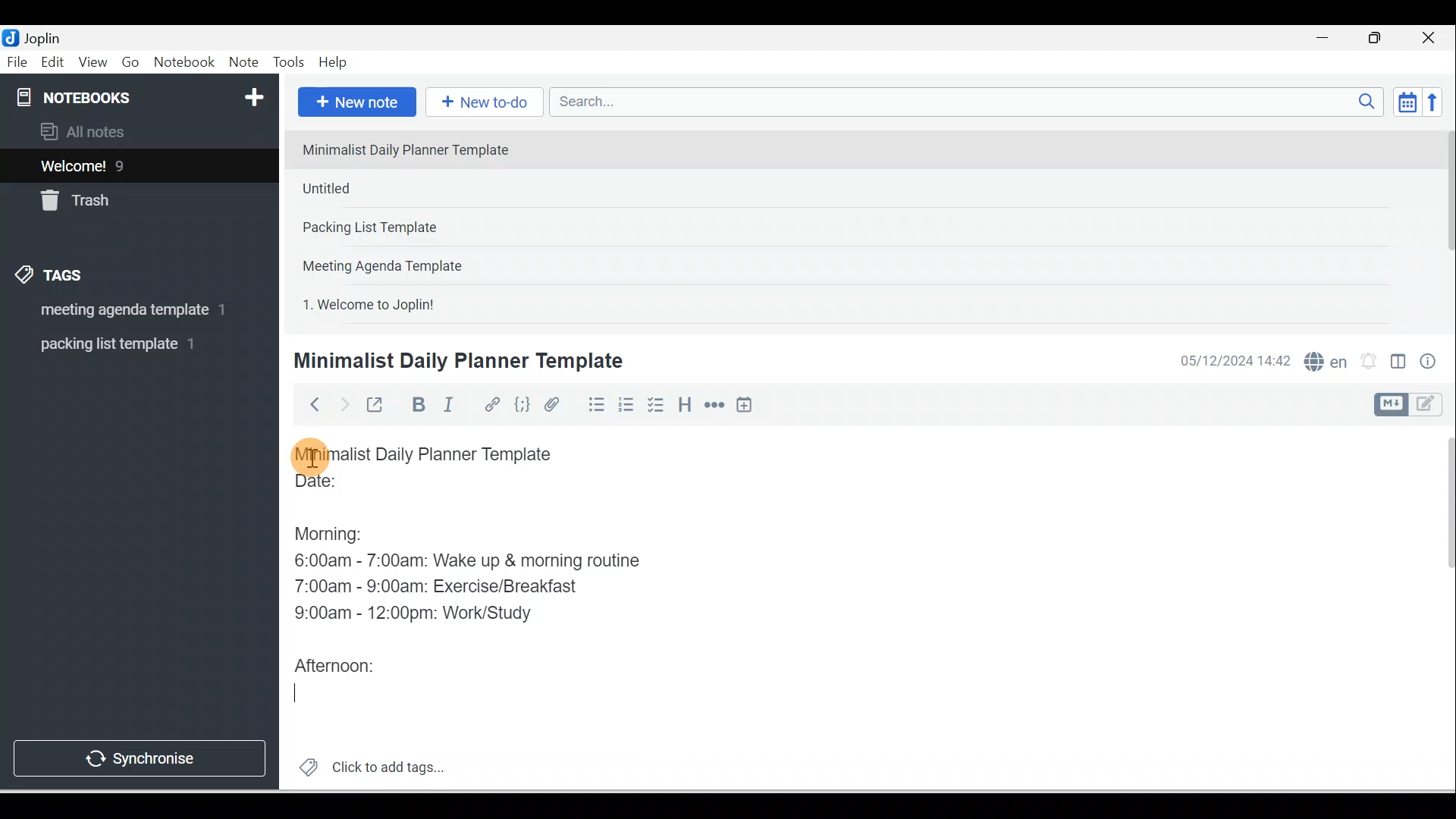 Image resolution: width=1456 pixels, height=819 pixels. Describe the element at coordinates (46, 36) in the screenshot. I see `Joplin` at that location.